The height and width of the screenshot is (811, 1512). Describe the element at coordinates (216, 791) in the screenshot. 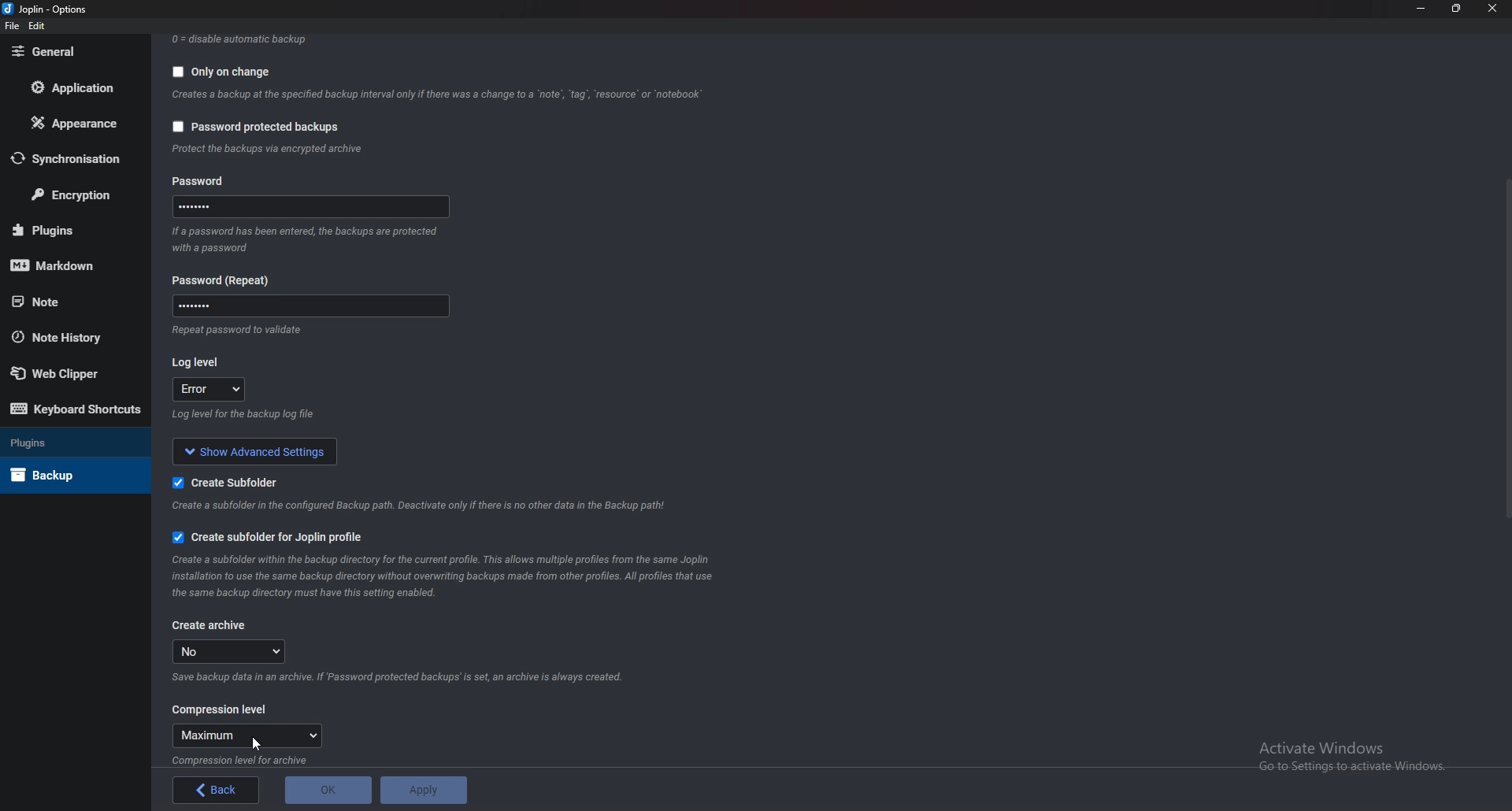

I see `back` at that location.